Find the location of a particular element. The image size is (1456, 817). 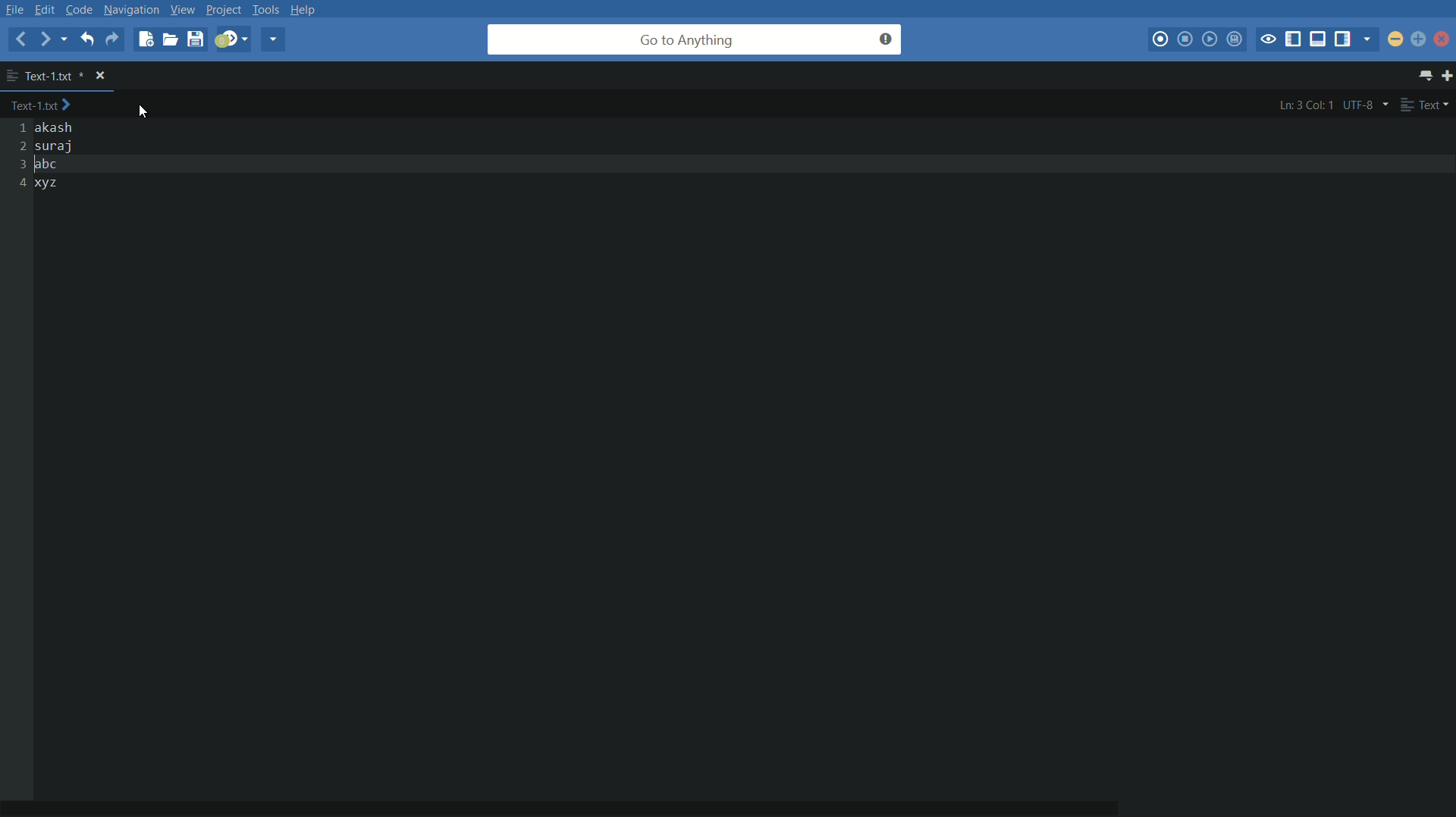

akash suraj abc xyz is located at coordinates (66, 156).